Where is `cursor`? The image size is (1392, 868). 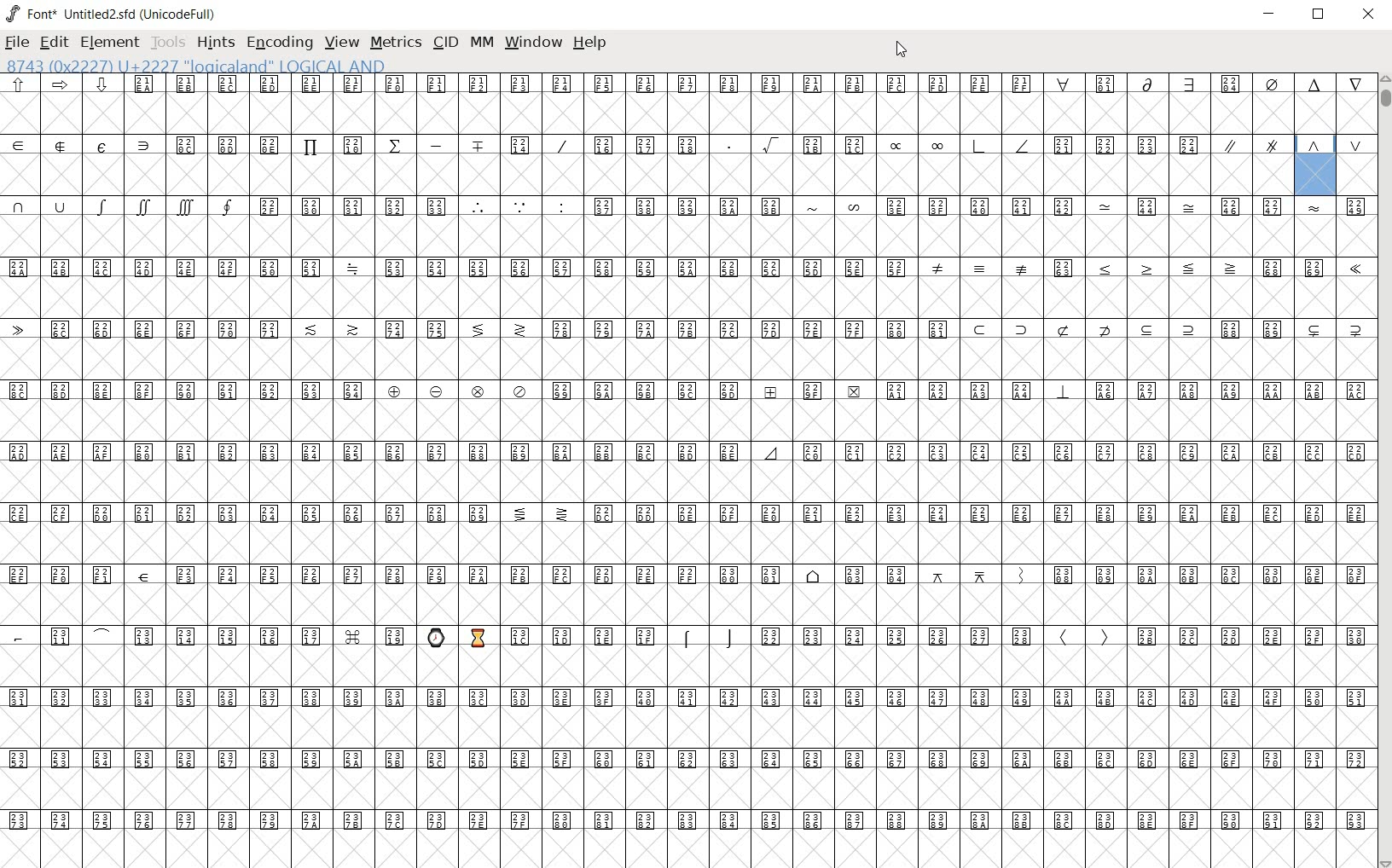 cursor is located at coordinates (900, 51).